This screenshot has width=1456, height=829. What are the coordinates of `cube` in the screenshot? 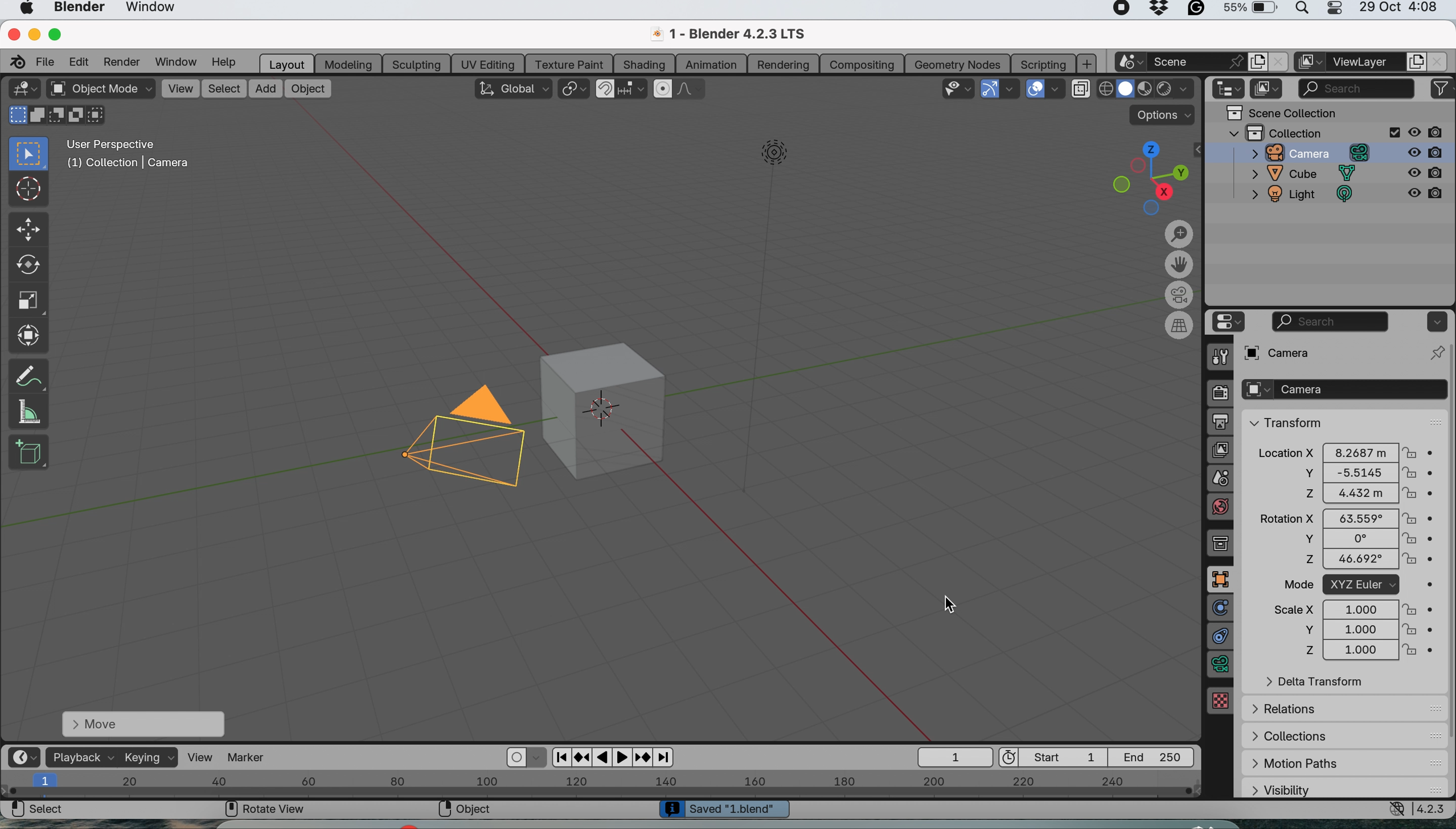 It's located at (1305, 174).